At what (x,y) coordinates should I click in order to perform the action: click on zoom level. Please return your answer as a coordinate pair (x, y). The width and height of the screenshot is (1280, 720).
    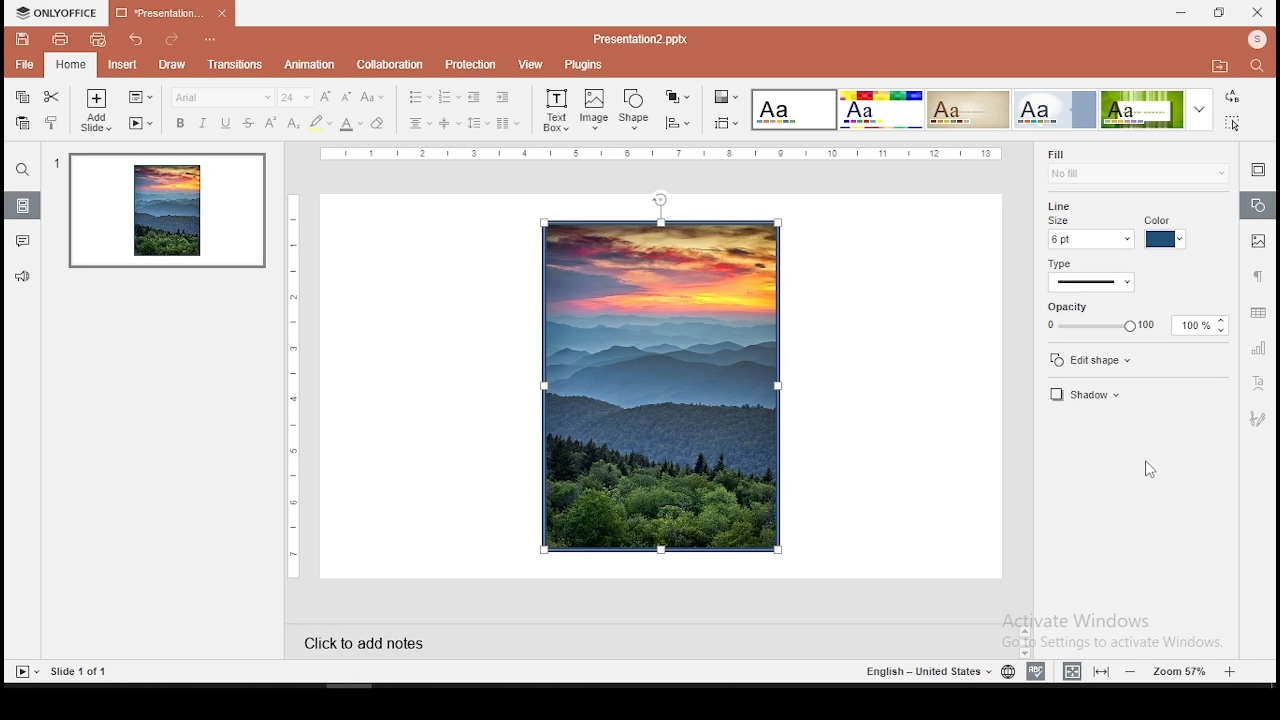
    Looking at the image, I should click on (1183, 670).